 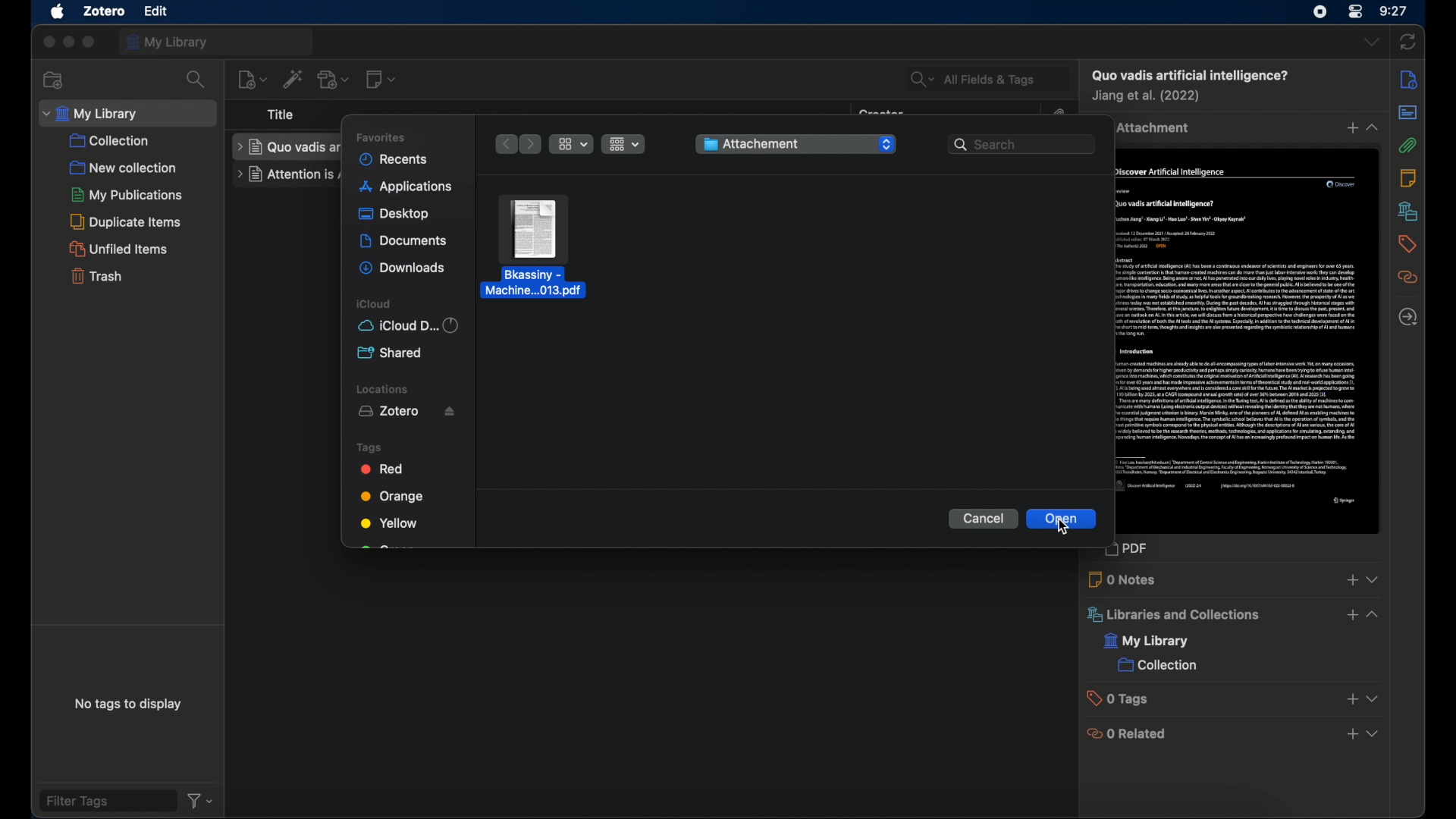 I want to click on zotero, so click(x=409, y=412).